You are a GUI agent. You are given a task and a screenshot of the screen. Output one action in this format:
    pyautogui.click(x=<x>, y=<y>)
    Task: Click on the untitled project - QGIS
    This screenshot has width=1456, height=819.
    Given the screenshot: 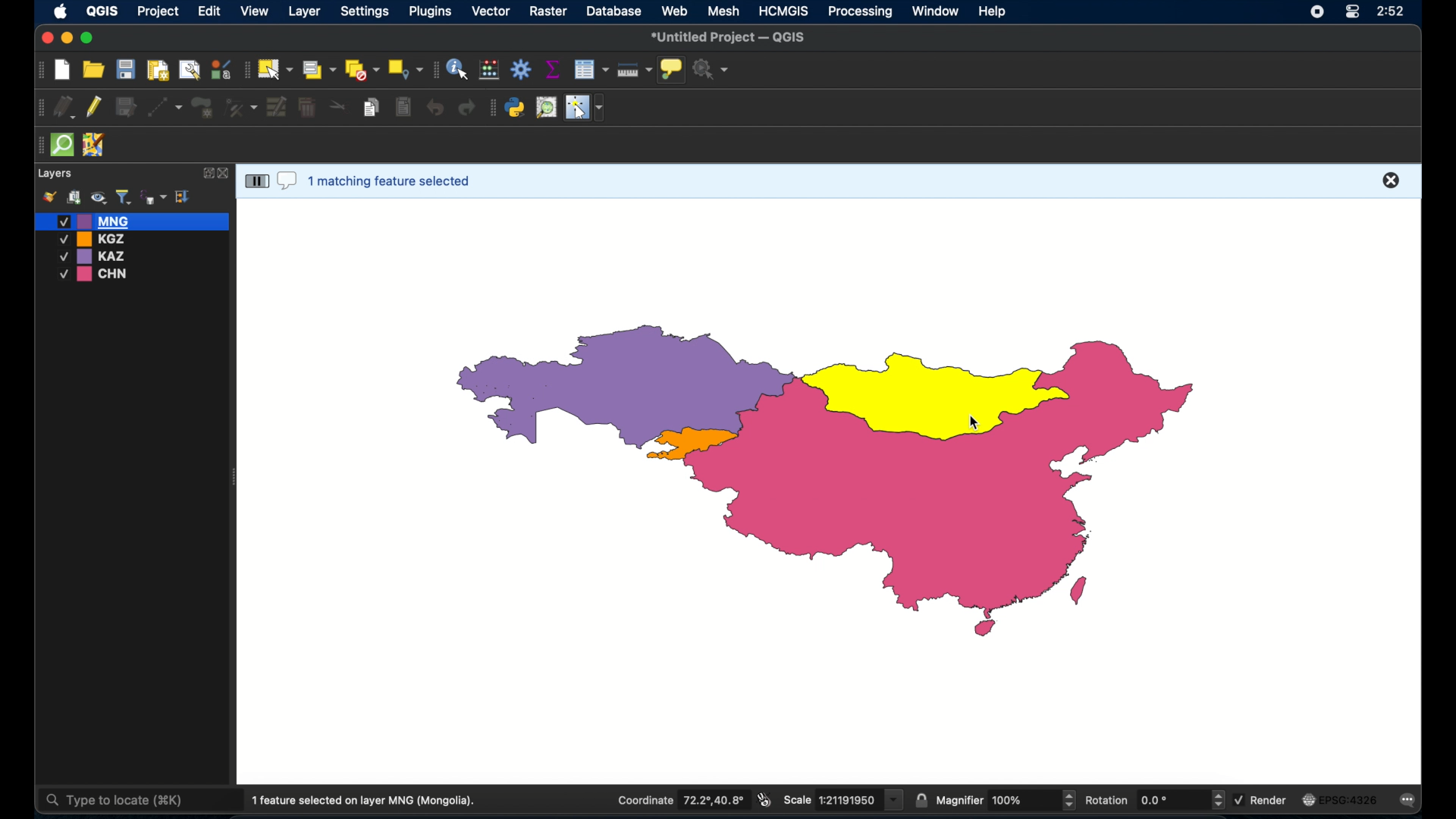 What is the action you would take?
    pyautogui.click(x=730, y=37)
    